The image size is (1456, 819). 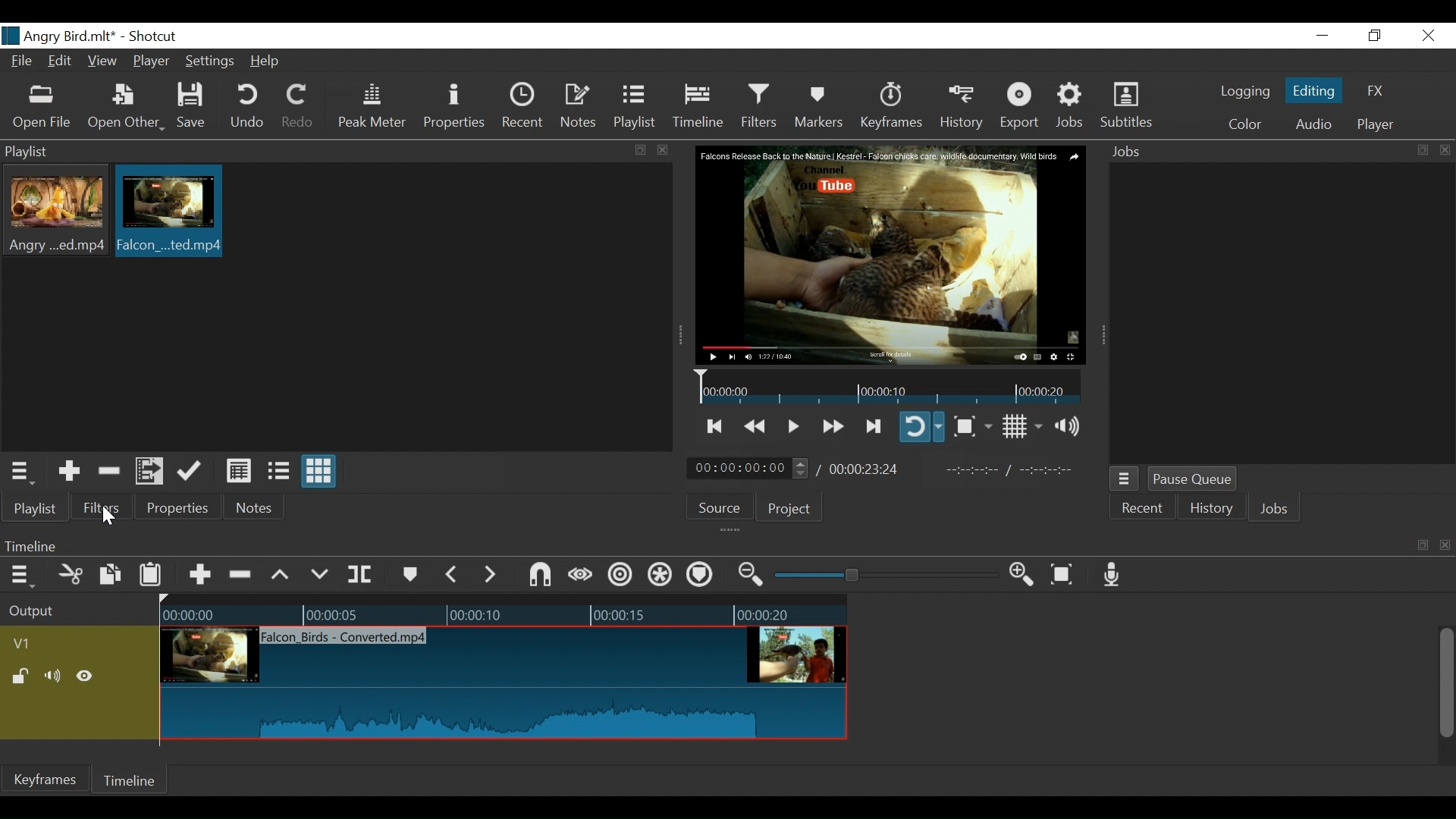 What do you see at coordinates (256, 507) in the screenshot?
I see `Notes` at bounding box center [256, 507].